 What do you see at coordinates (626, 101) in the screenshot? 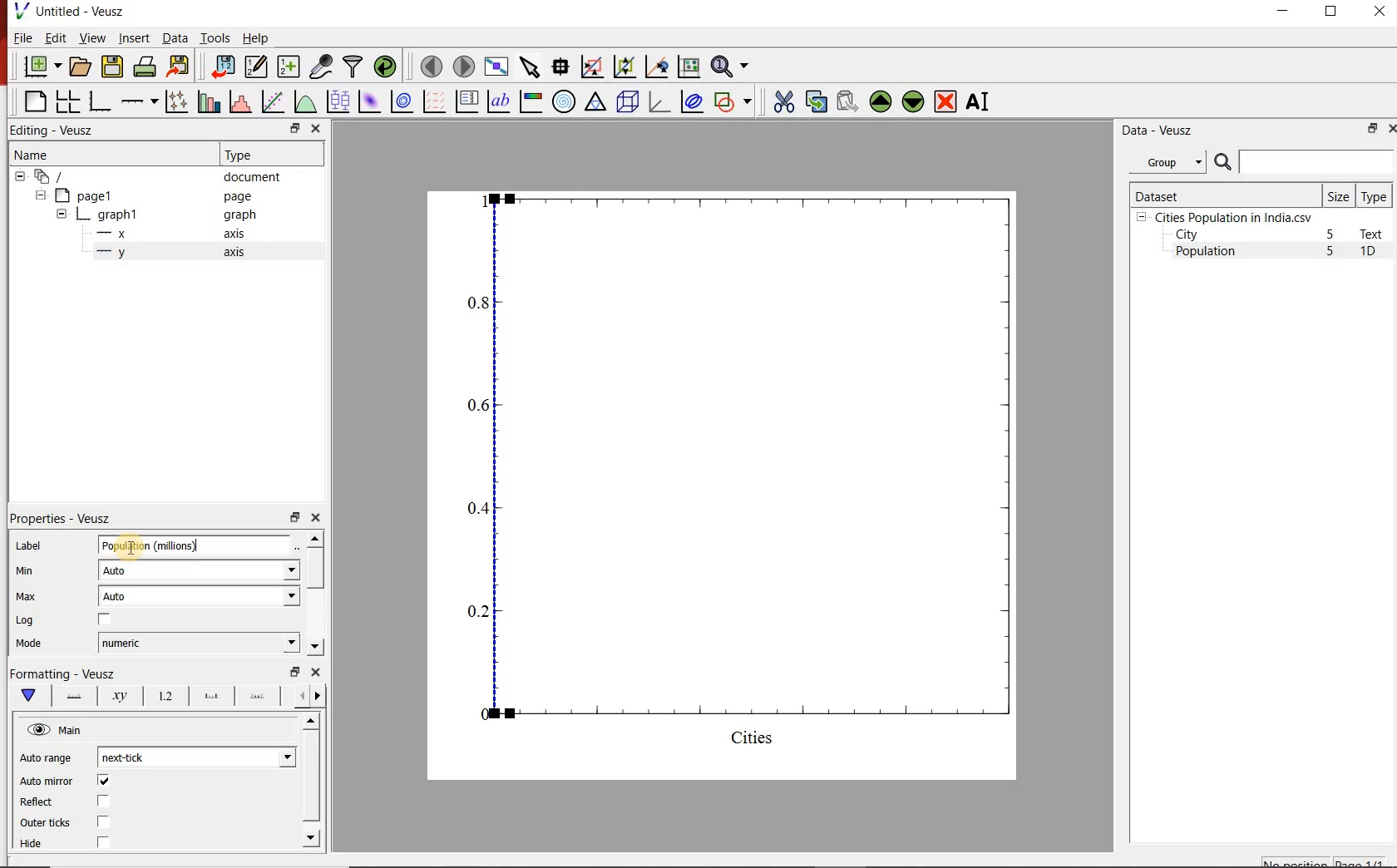
I see `3d scene` at bounding box center [626, 101].